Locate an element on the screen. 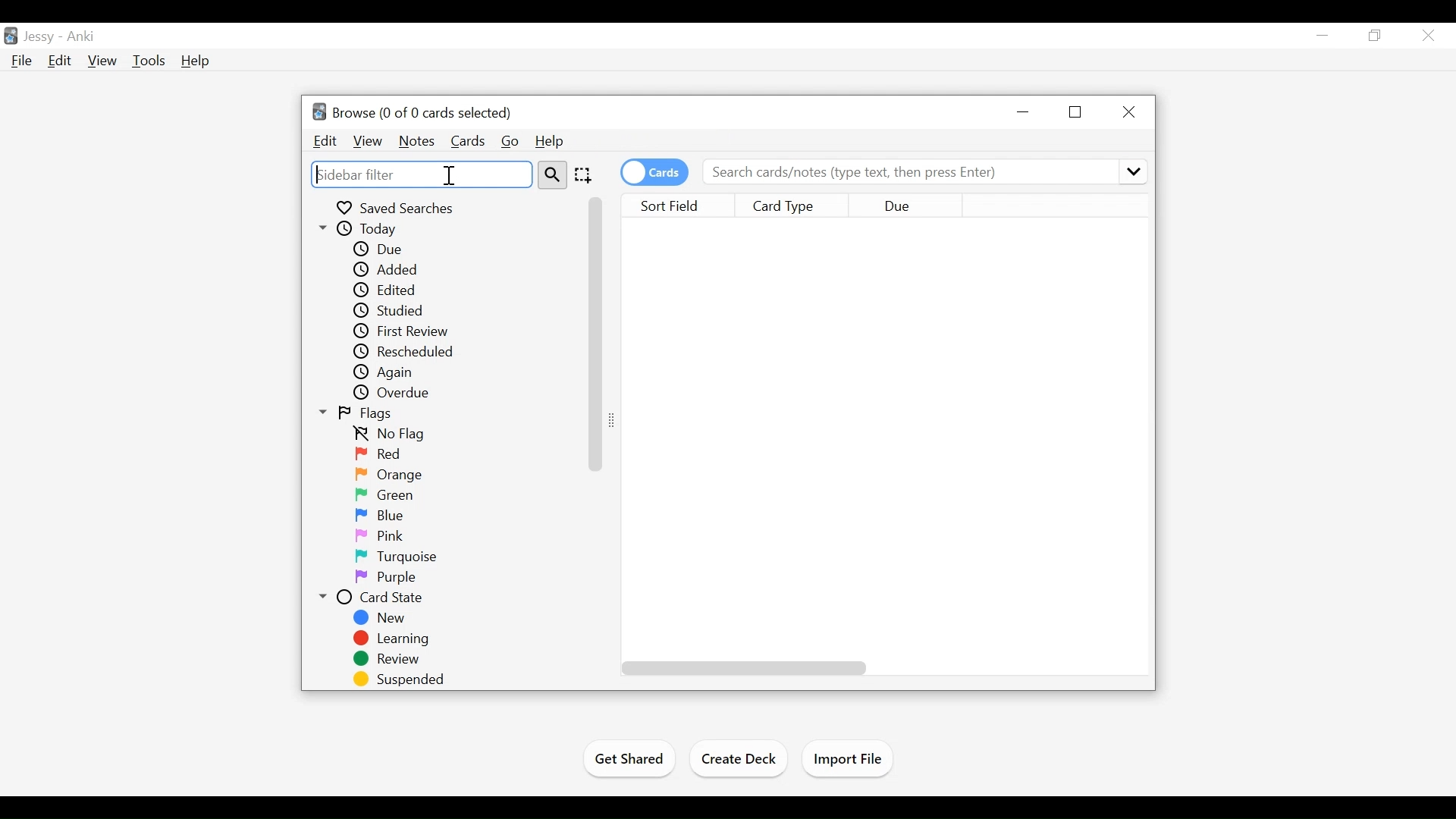 Image resolution: width=1456 pixels, height=819 pixels. Turquoise is located at coordinates (399, 556).